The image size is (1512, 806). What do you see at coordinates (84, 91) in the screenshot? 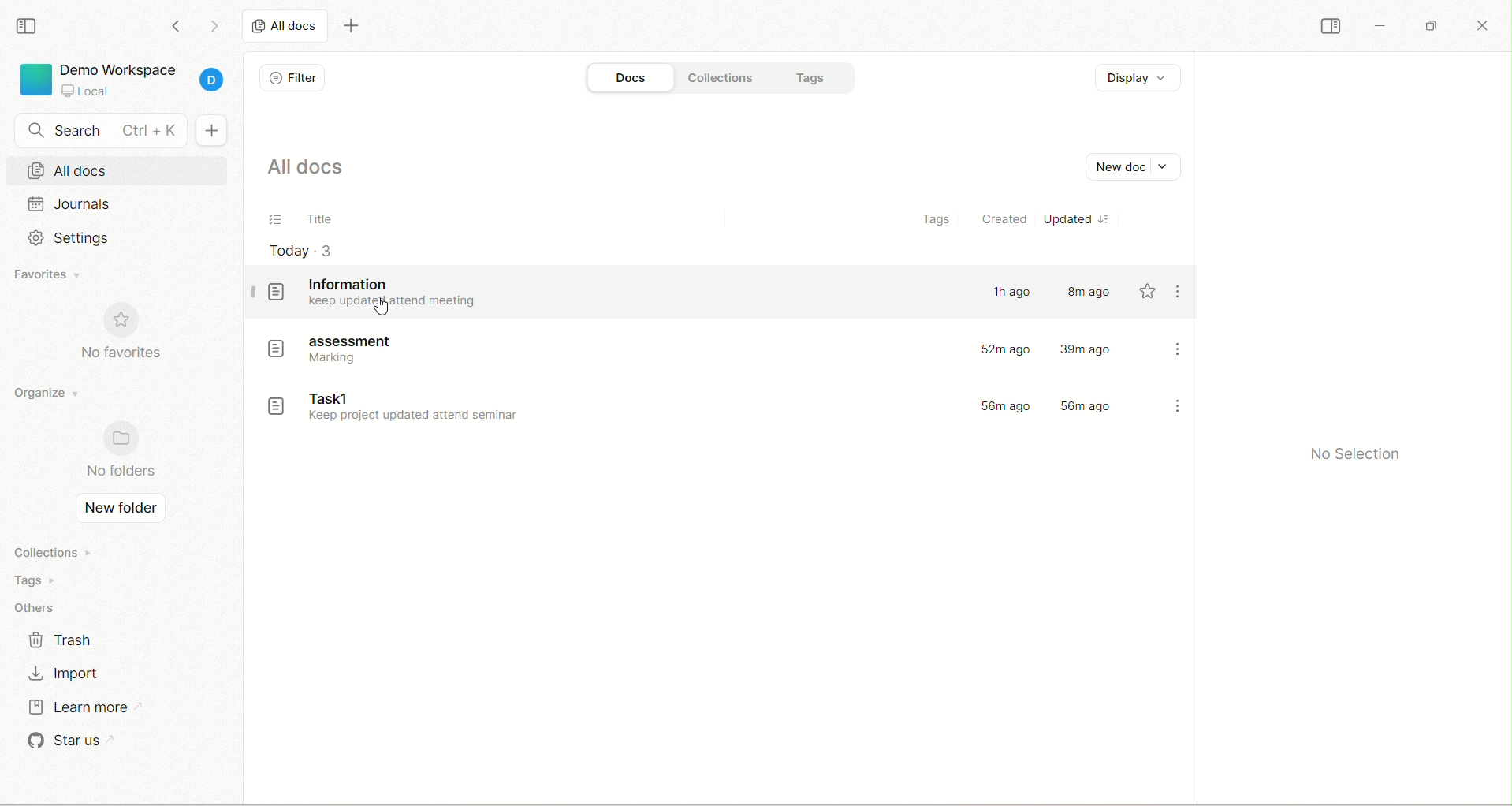
I see `local` at bounding box center [84, 91].